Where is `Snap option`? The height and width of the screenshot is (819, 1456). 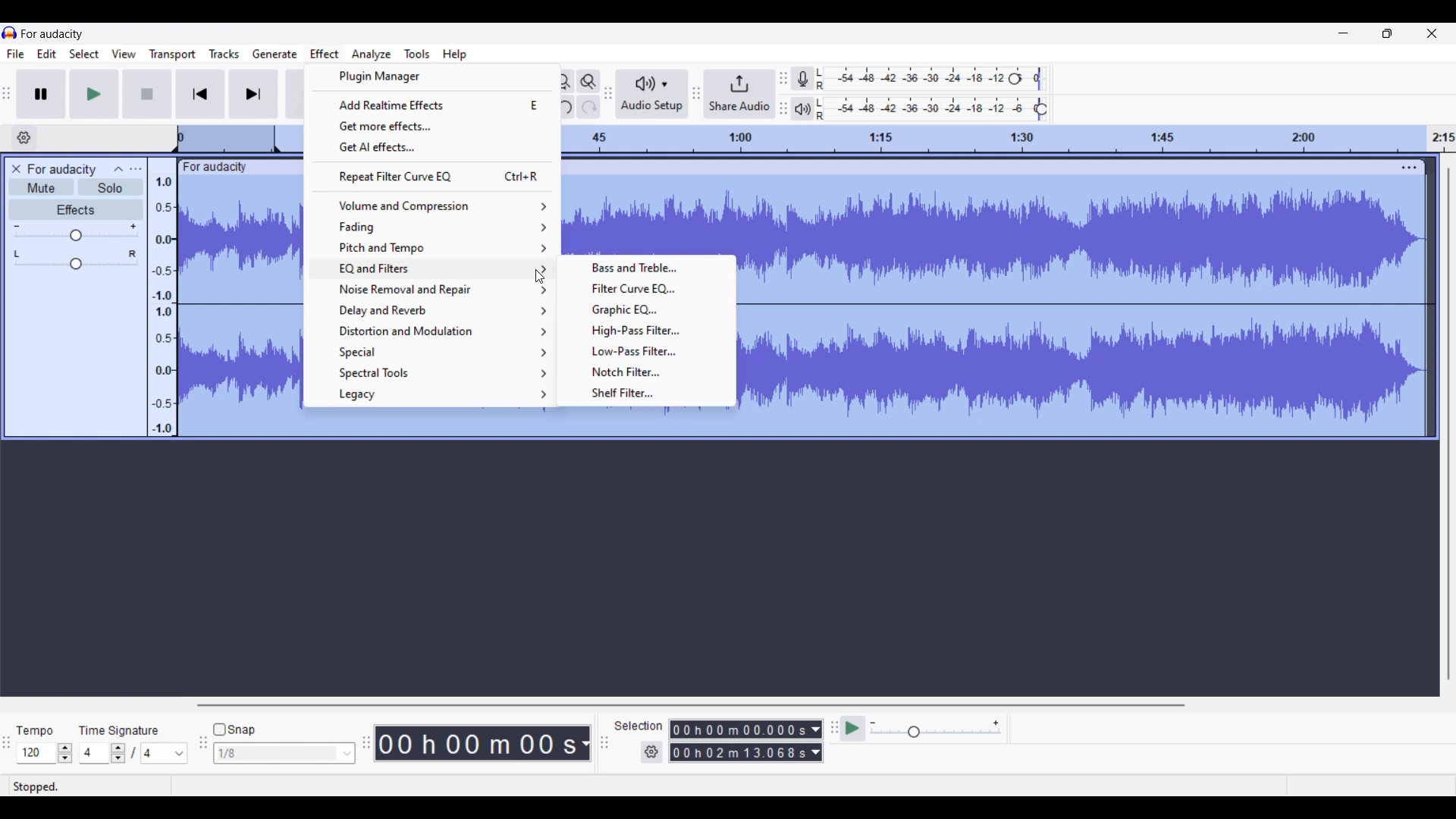 Snap option is located at coordinates (348, 754).